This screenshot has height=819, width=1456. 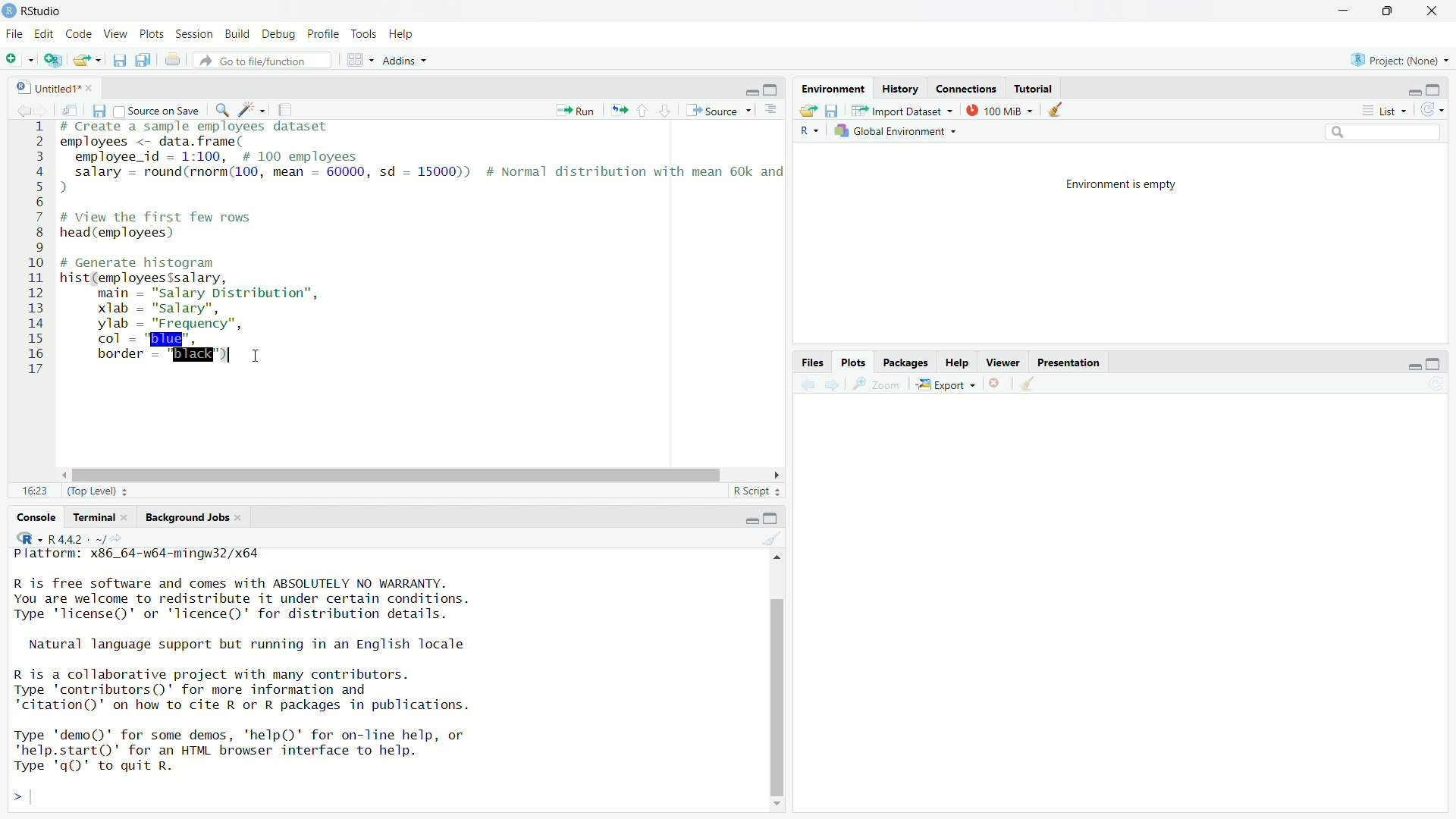 I want to click on Scroll bar, so click(x=417, y=474).